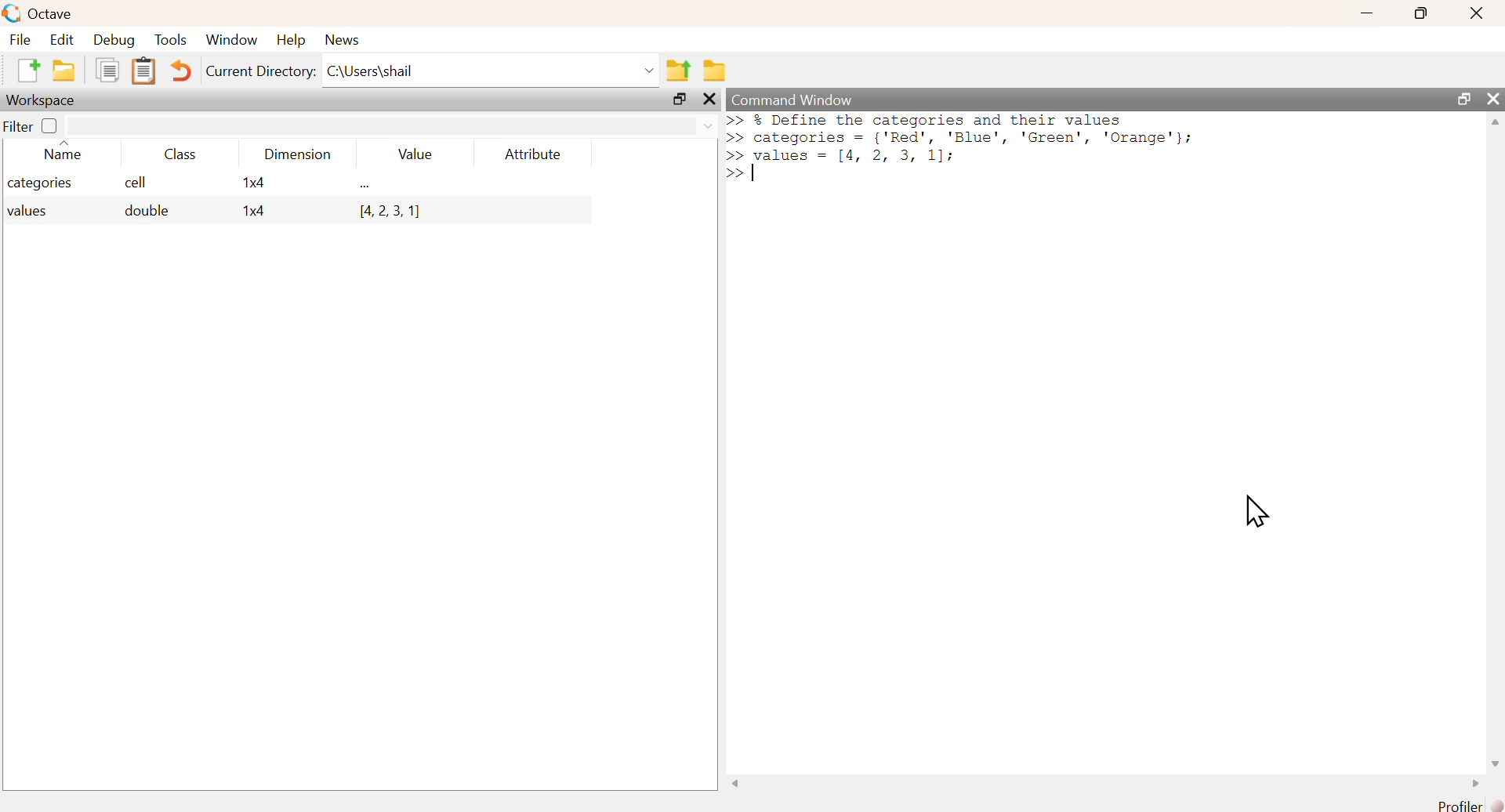 This screenshot has height=812, width=1505. I want to click on values, so click(29, 212).